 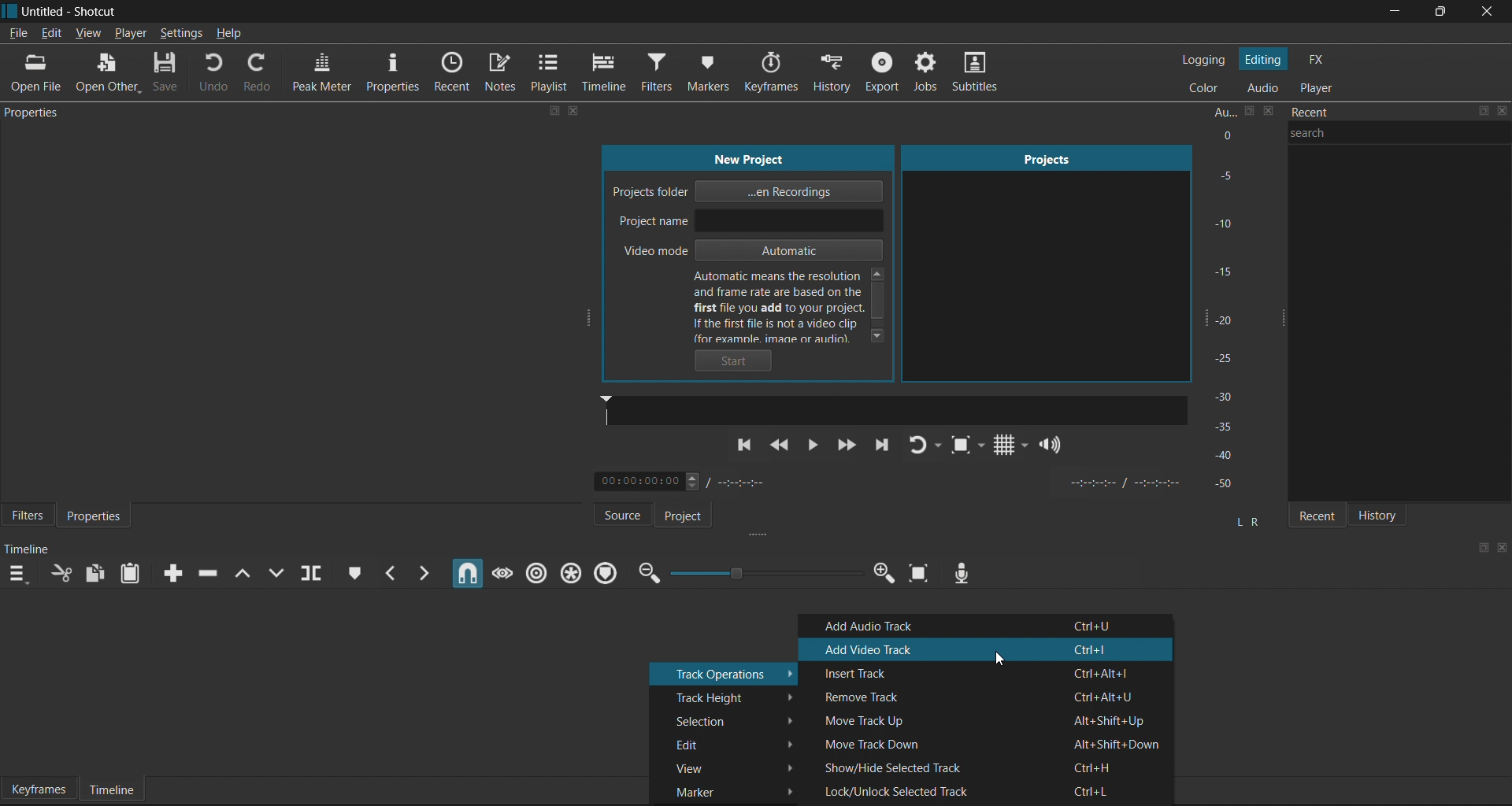 I want to click on Undo, so click(x=221, y=74).